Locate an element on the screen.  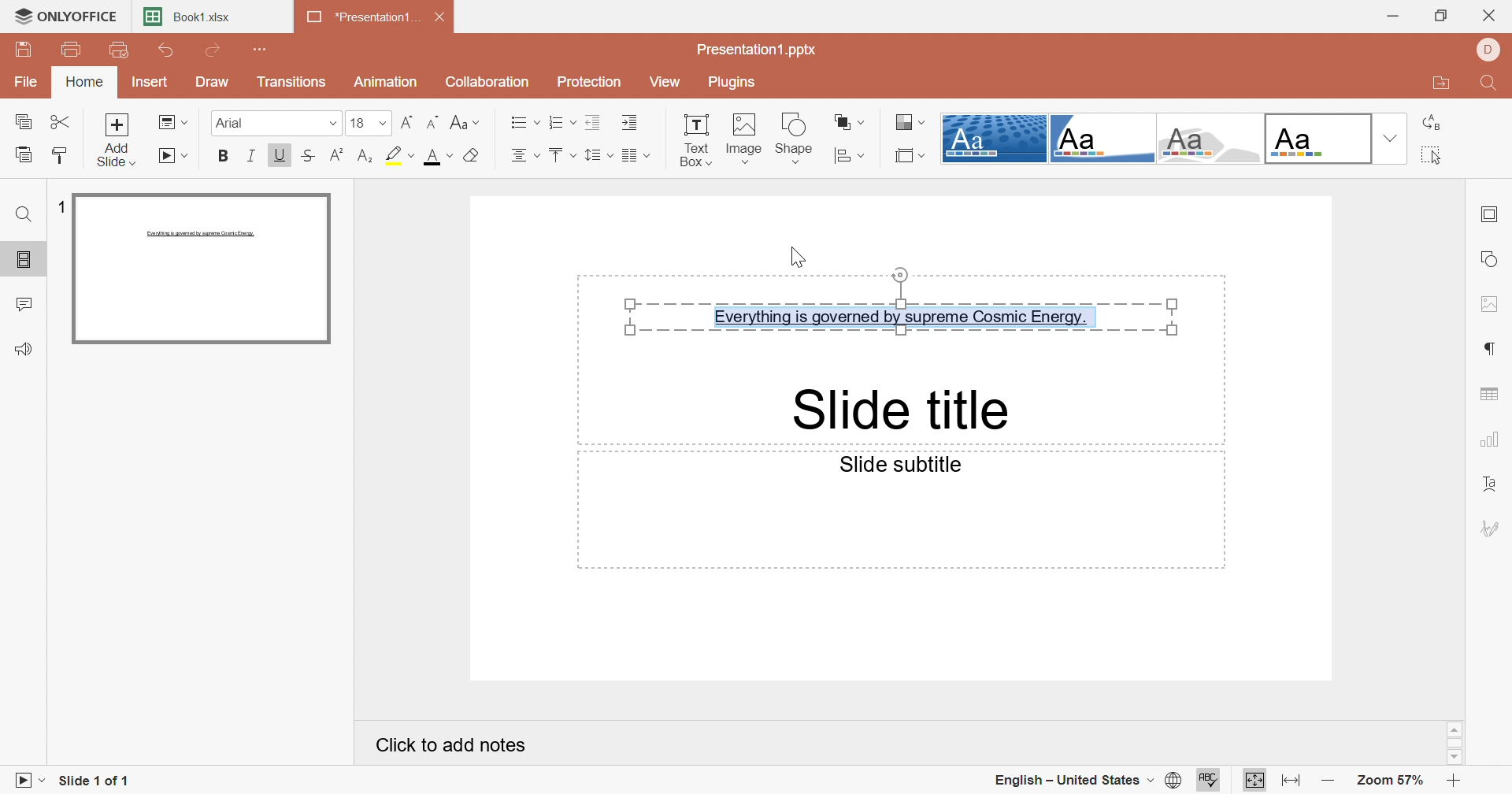
Check Spelling is located at coordinates (1208, 780).